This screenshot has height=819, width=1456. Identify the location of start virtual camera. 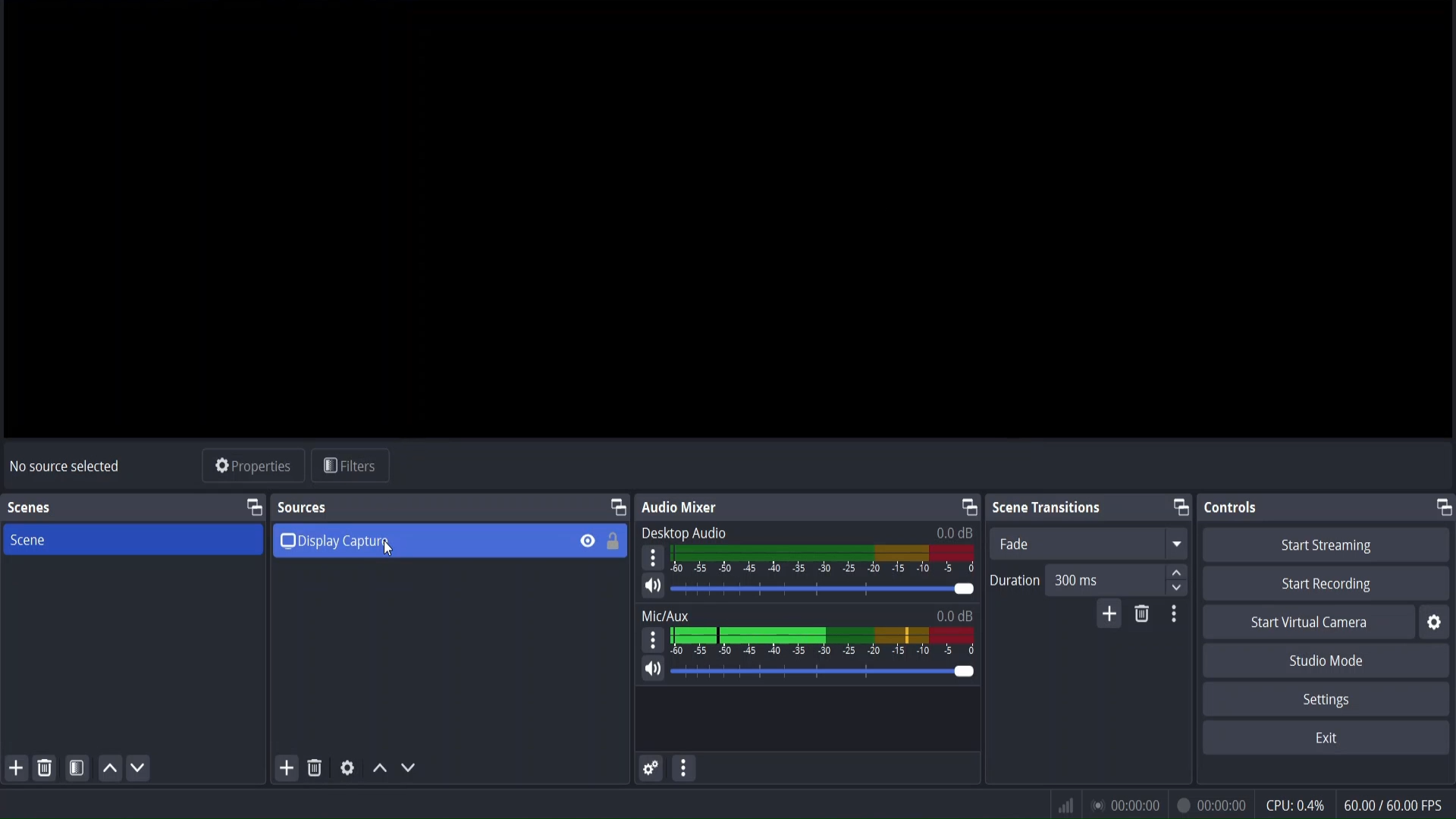
(1310, 623).